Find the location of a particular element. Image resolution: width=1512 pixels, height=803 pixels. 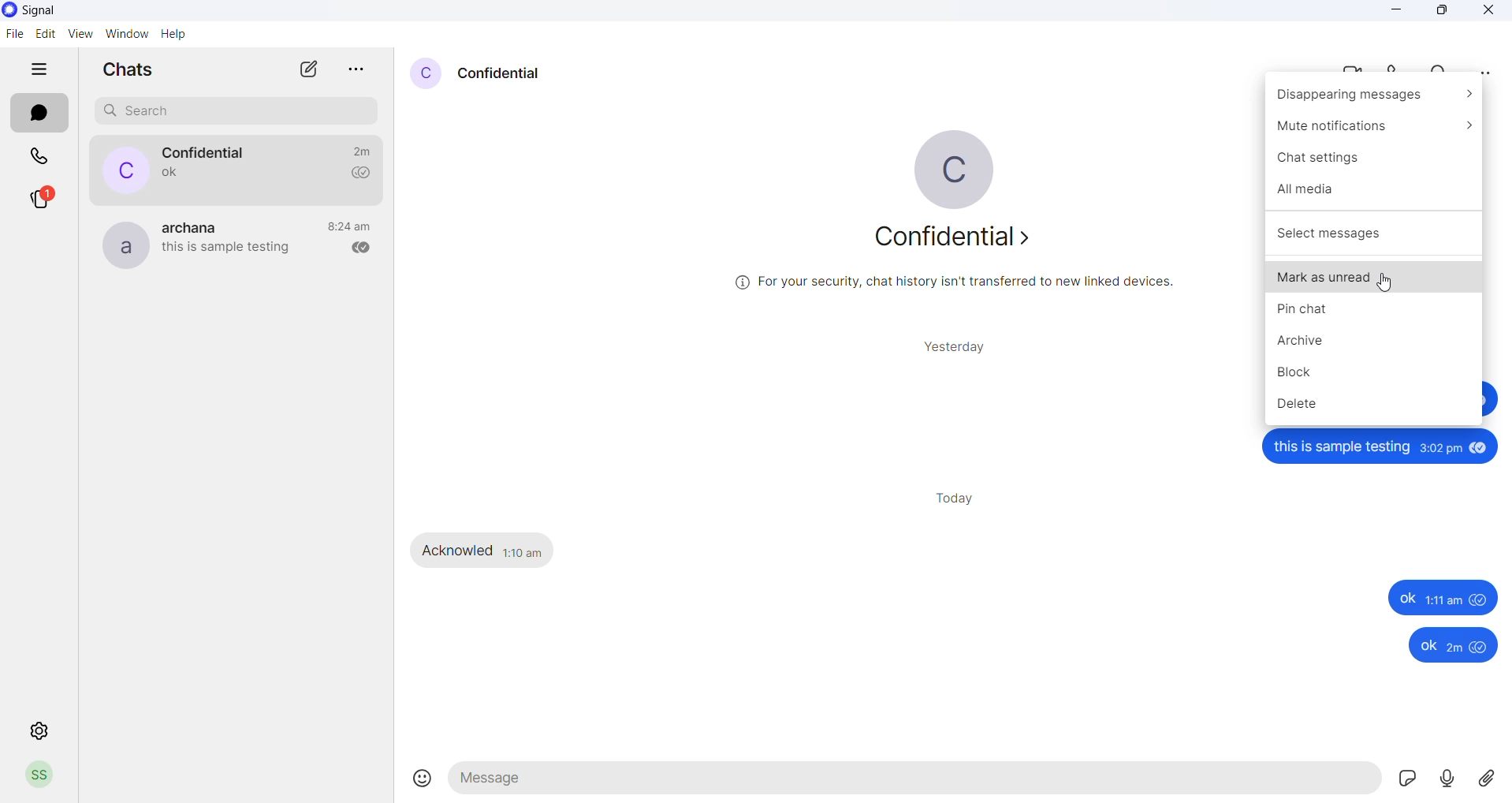

sticker is located at coordinates (1406, 782).